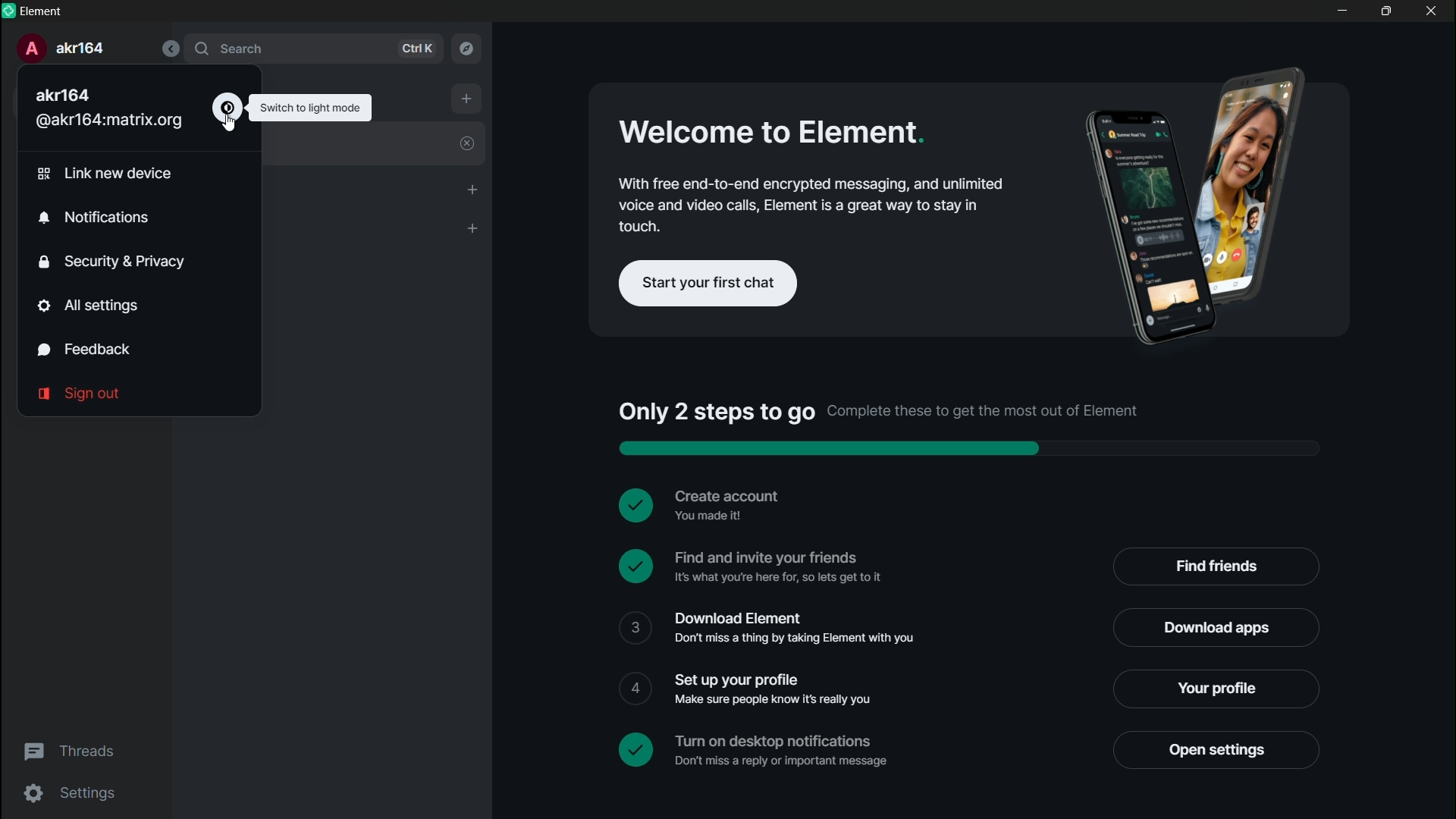 The width and height of the screenshot is (1456, 819). Describe the element at coordinates (113, 261) in the screenshot. I see `security and privacy` at that location.